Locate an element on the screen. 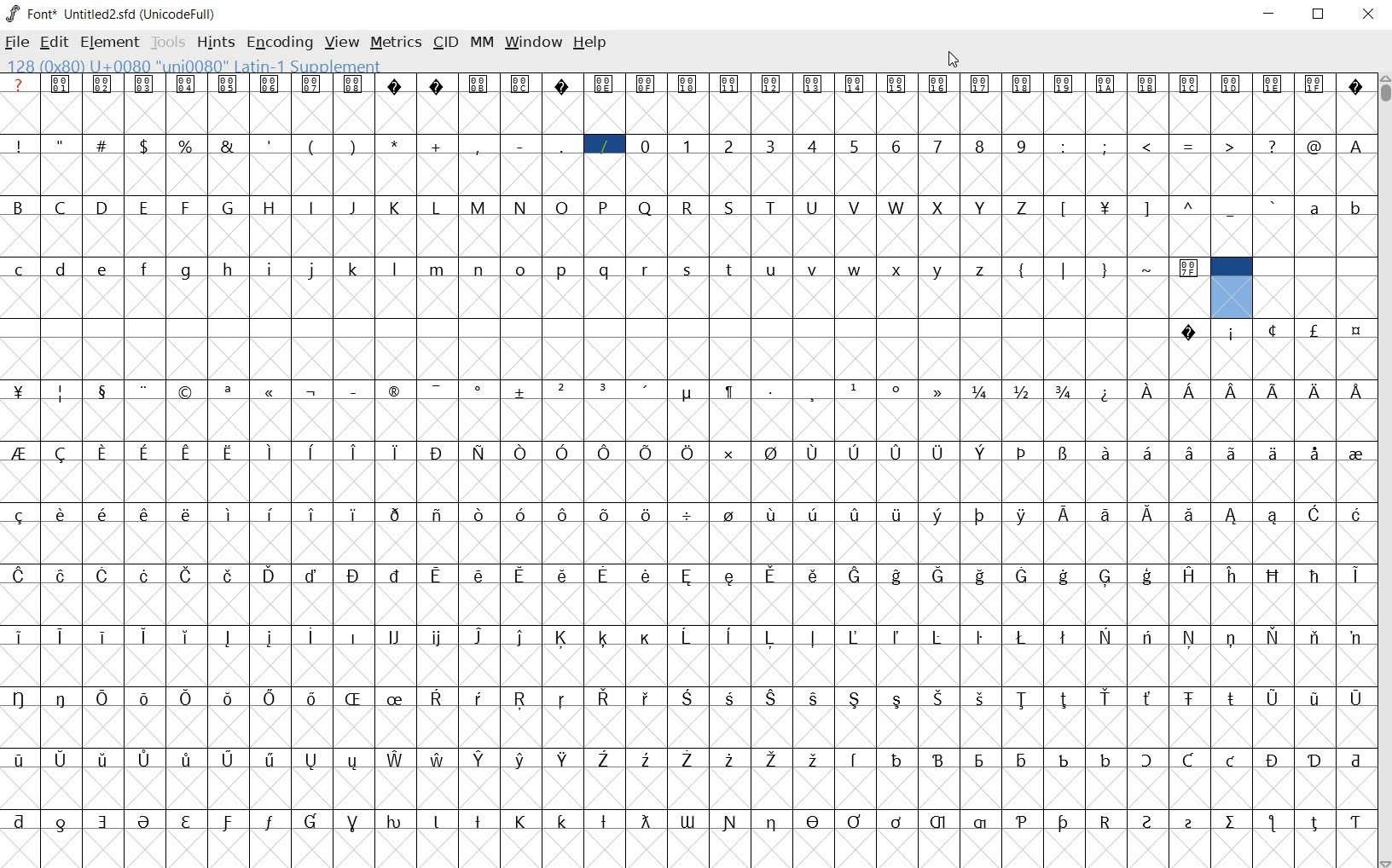 This screenshot has height=868, width=1392. Symbol is located at coordinates (20, 636).